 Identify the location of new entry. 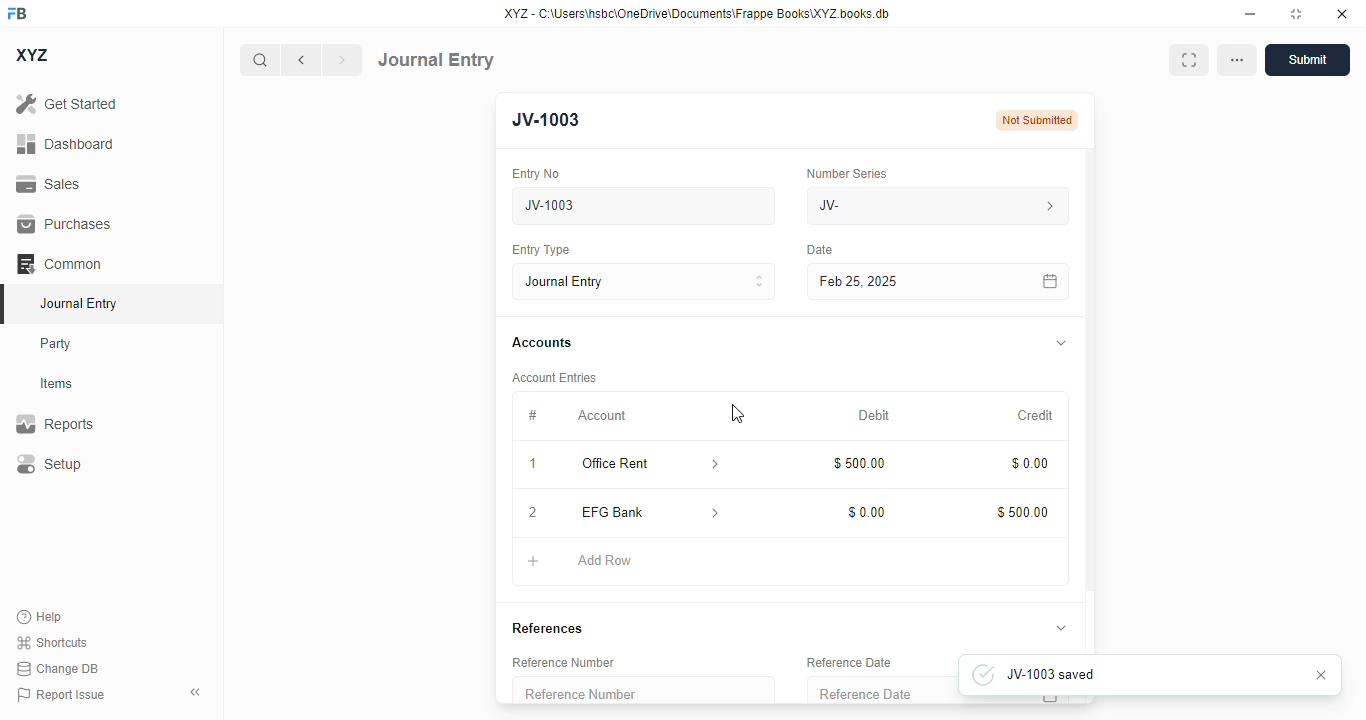
(554, 120).